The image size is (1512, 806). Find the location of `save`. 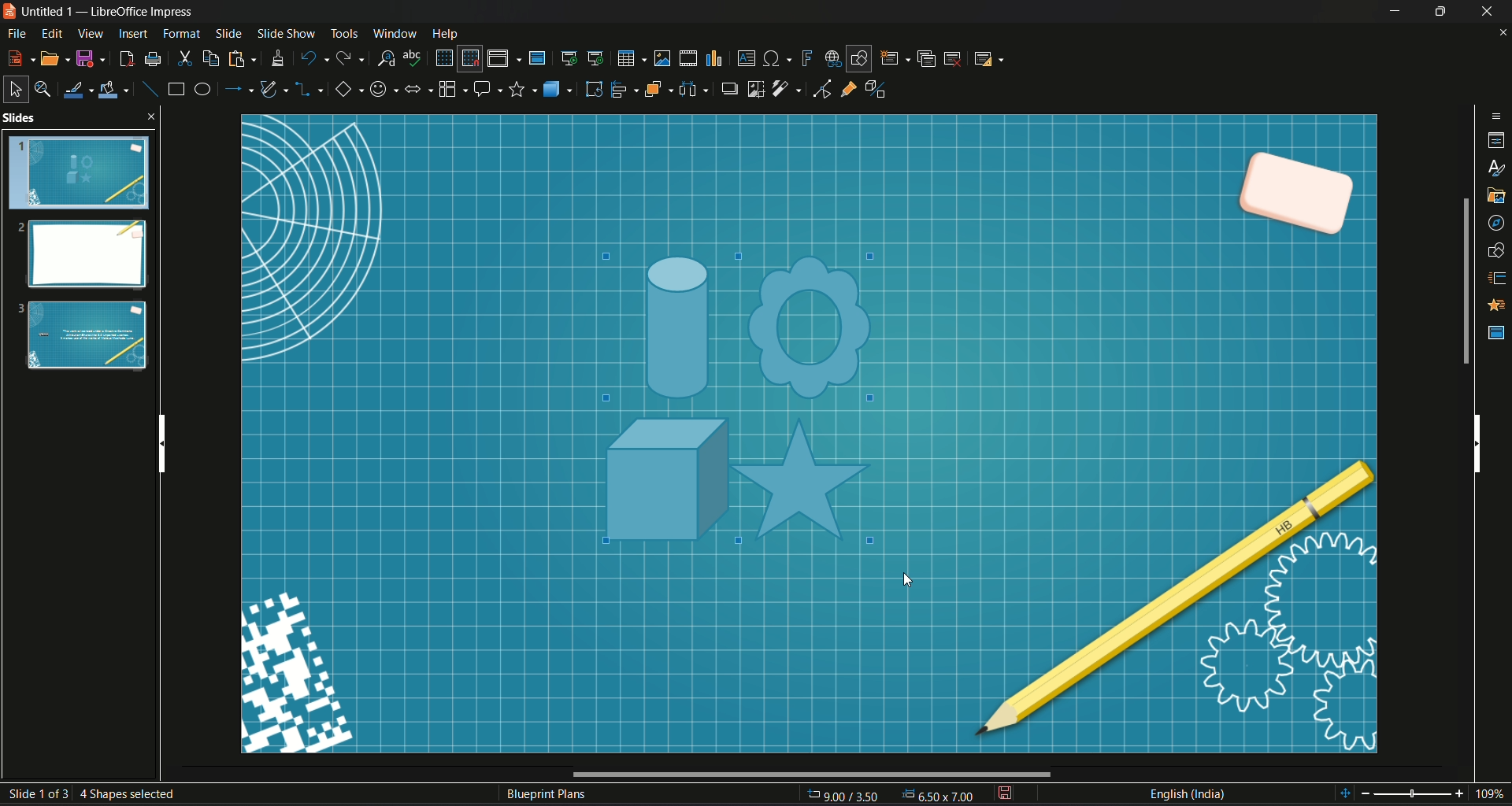

save is located at coordinates (1004, 794).